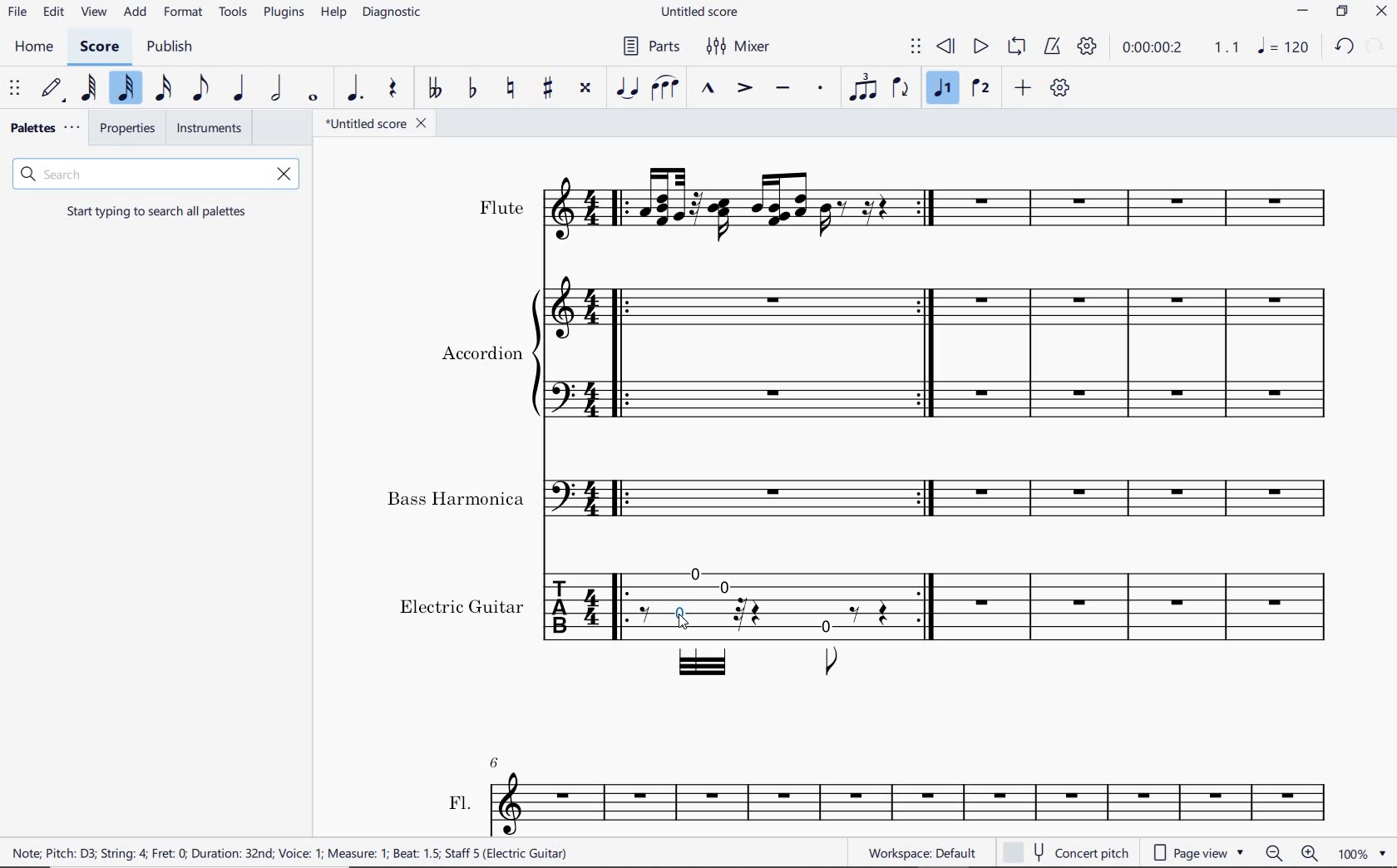 This screenshot has width=1397, height=868. I want to click on toggle sharp, so click(550, 88).